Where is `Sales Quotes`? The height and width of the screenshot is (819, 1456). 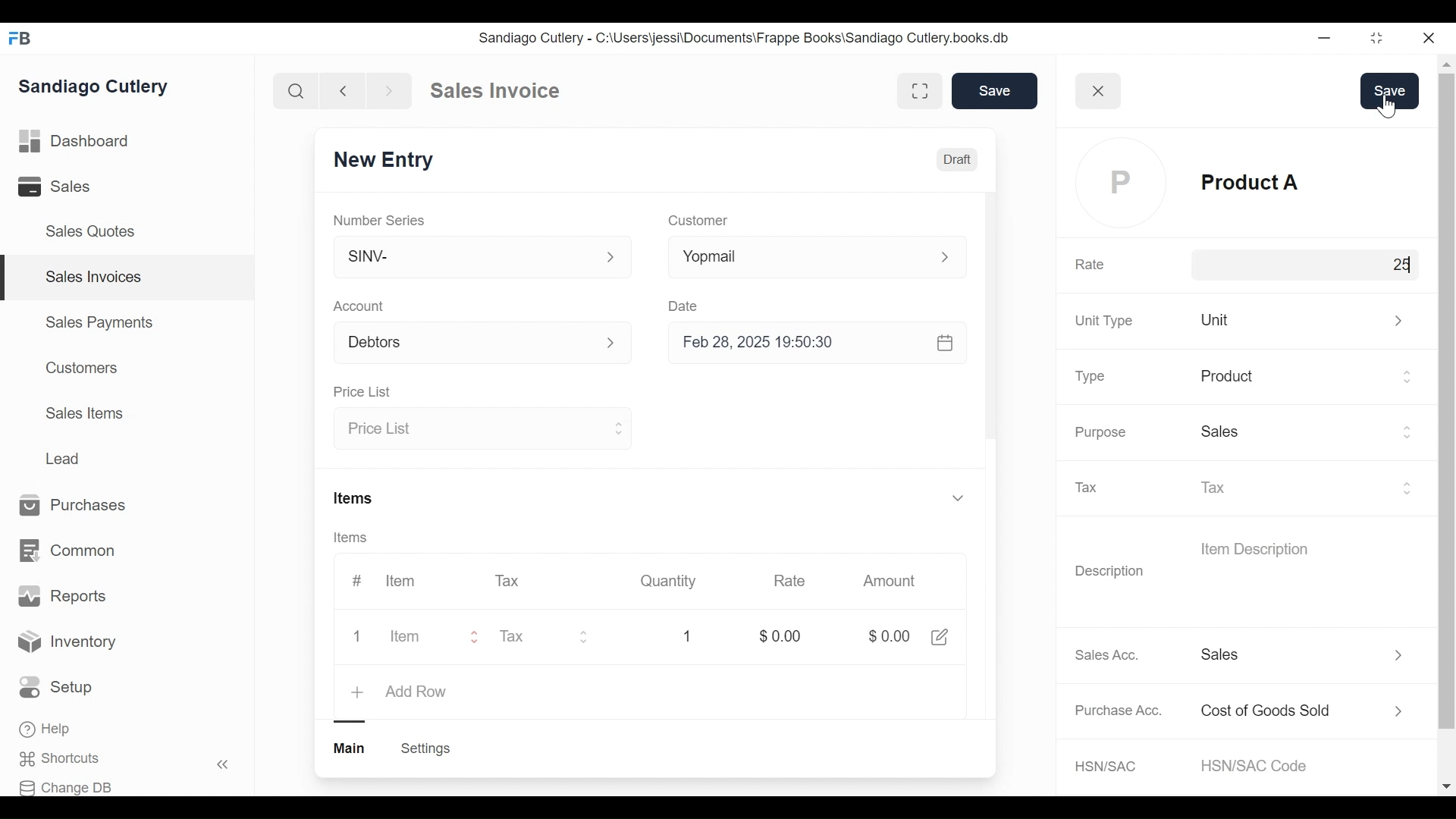 Sales Quotes is located at coordinates (96, 232).